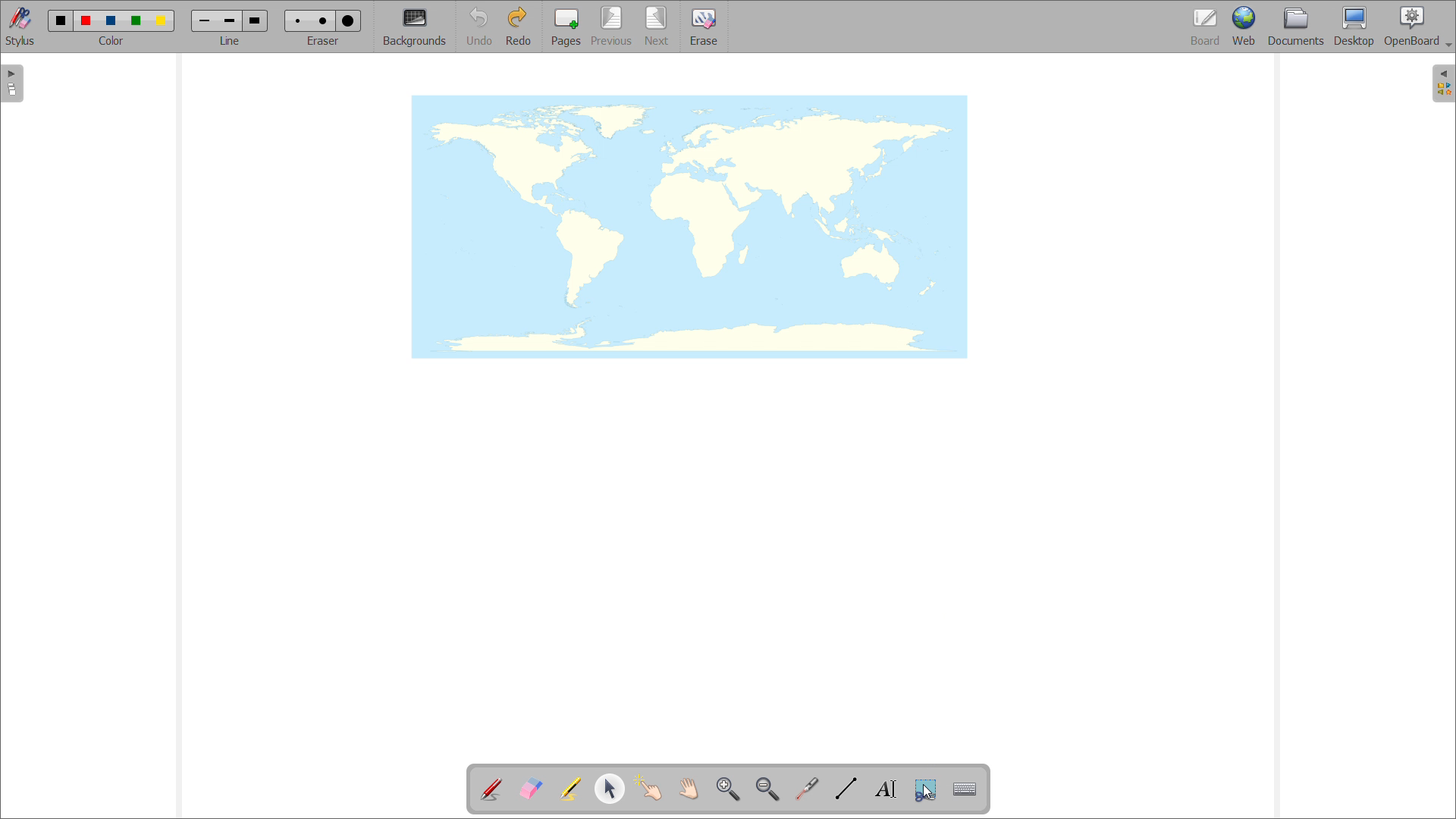  I want to click on cursor, so click(929, 792).